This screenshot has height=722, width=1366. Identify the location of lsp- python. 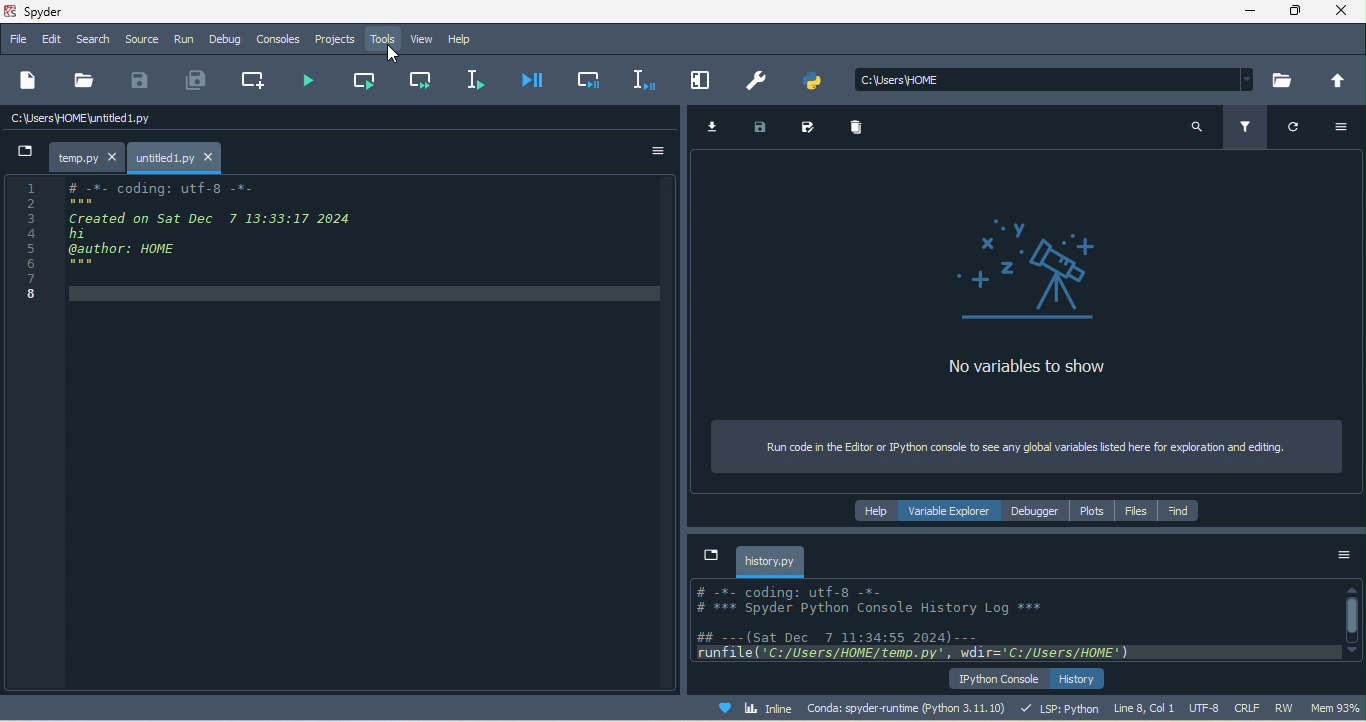
(1061, 708).